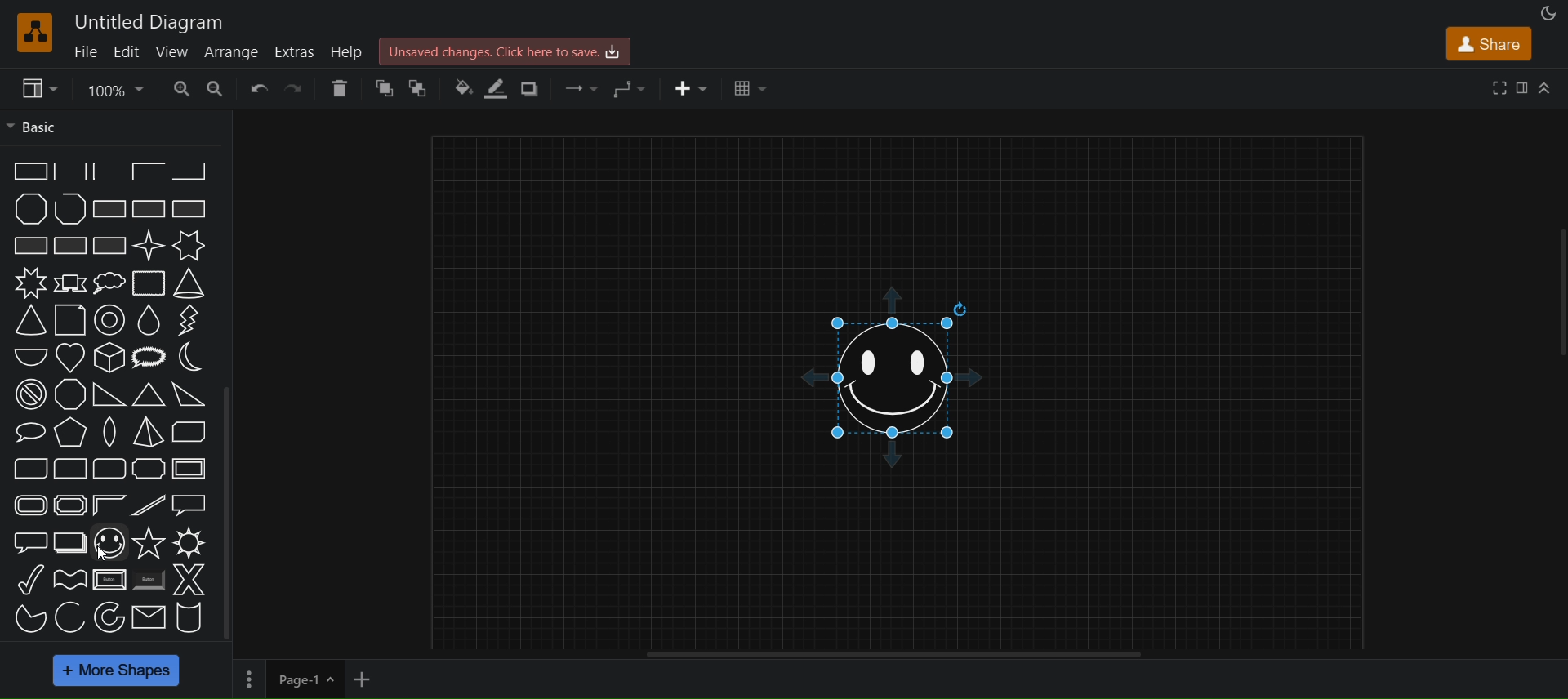 The height and width of the screenshot is (699, 1568). I want to click on flash, so click(187, 322).